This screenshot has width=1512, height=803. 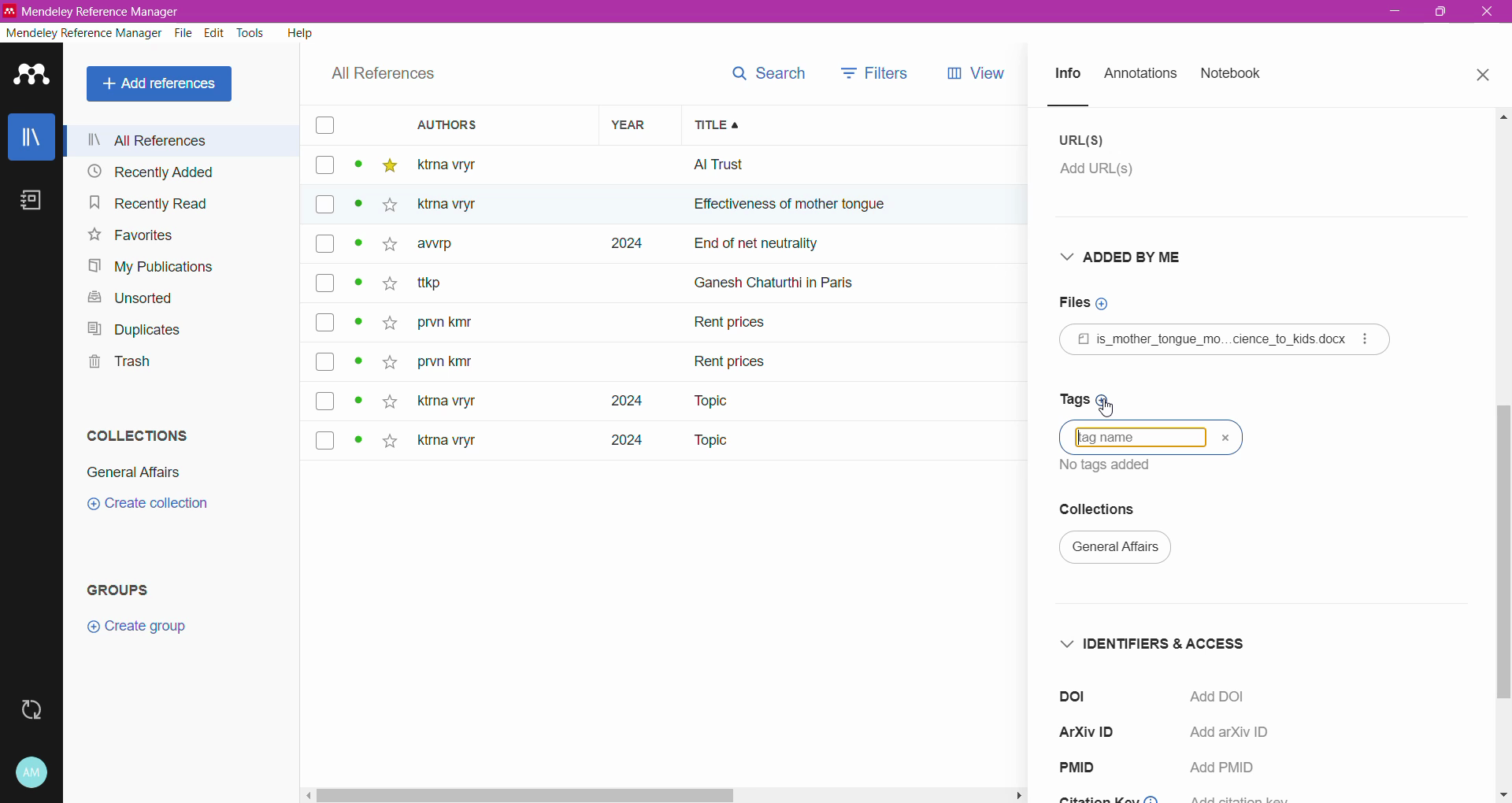 I want to click on dot , so click(x=360, y=401).